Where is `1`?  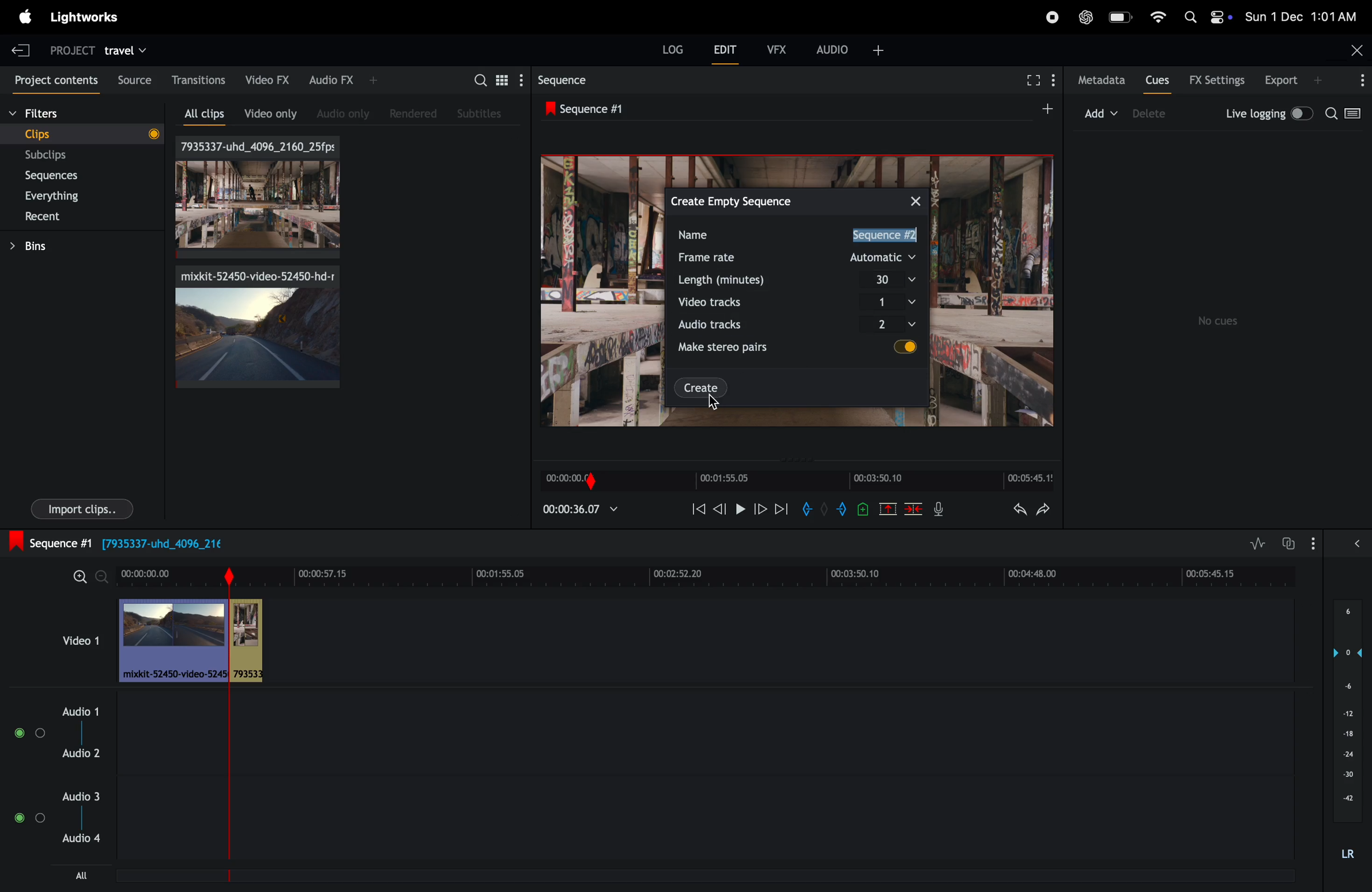 1 is located at coordinates (895, 300).